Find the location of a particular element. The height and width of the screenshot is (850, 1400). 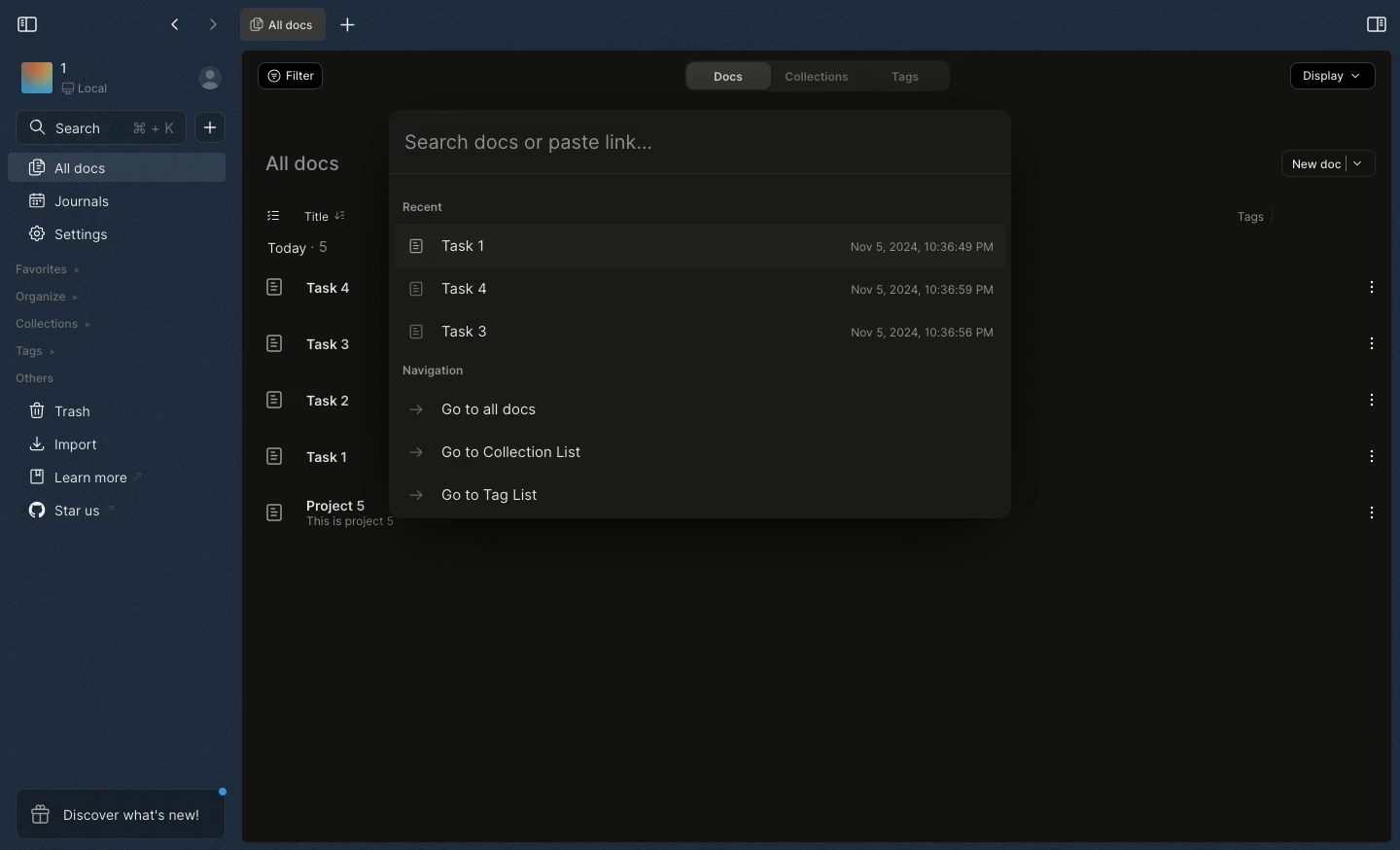

All docs is located at coordinates (278, 25).